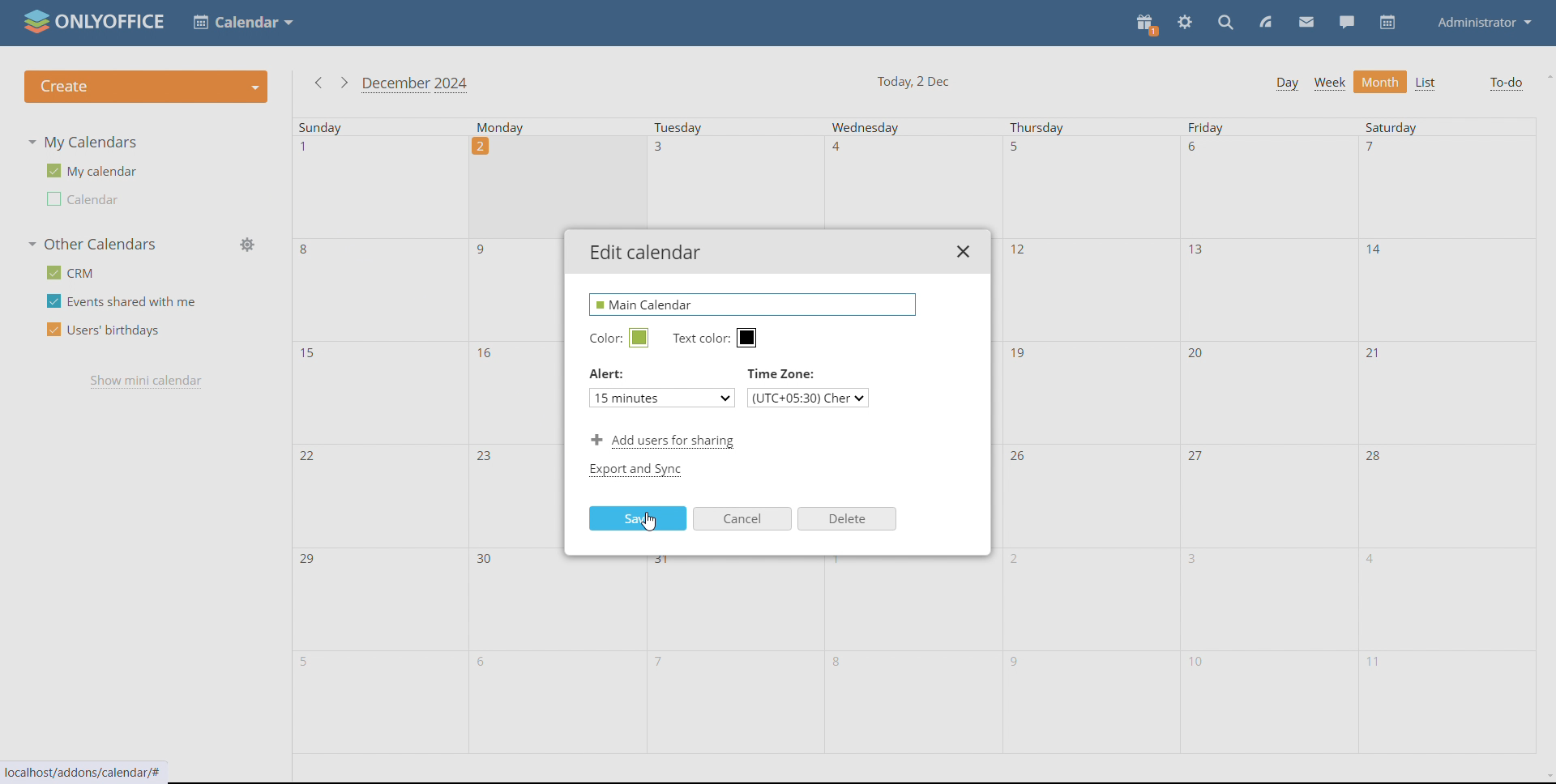 This screenshot has width=1556, height=784. Describe the element at coordinates (556, 656) in the screenshot. I see `monday` at that location.